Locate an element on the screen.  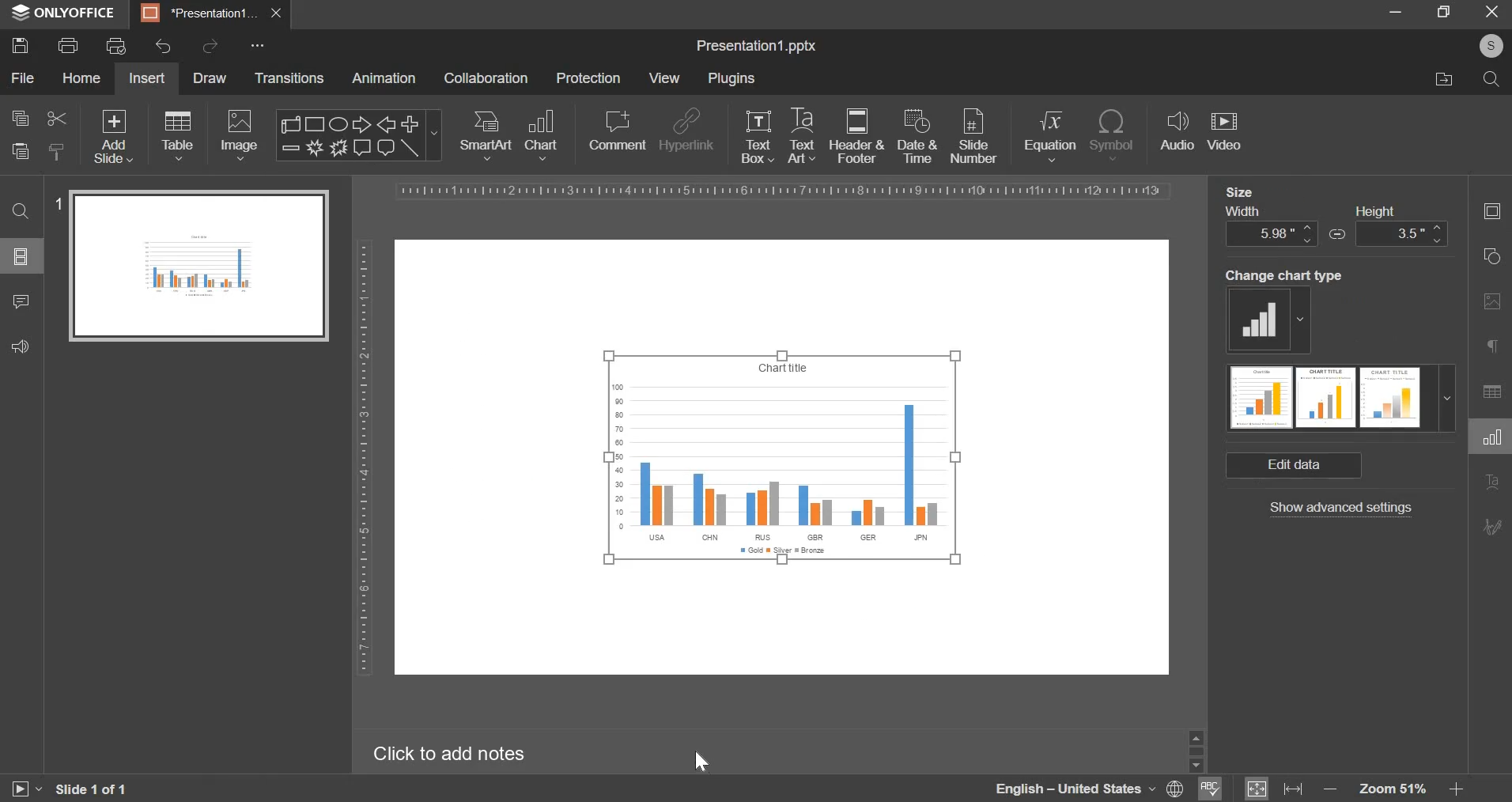
collaboration is located at coordinates (489, 79).